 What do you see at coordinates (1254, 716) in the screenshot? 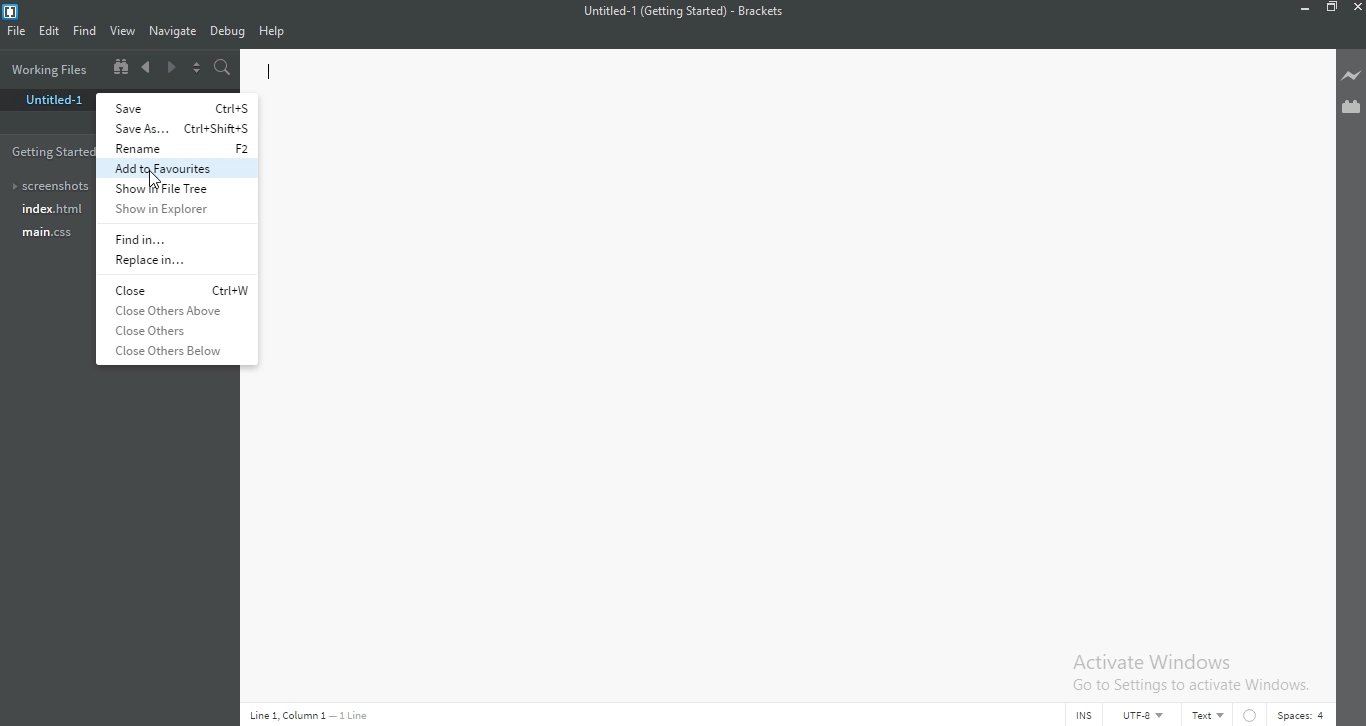
I see `No linter available` at bounding box center [1254, 716].